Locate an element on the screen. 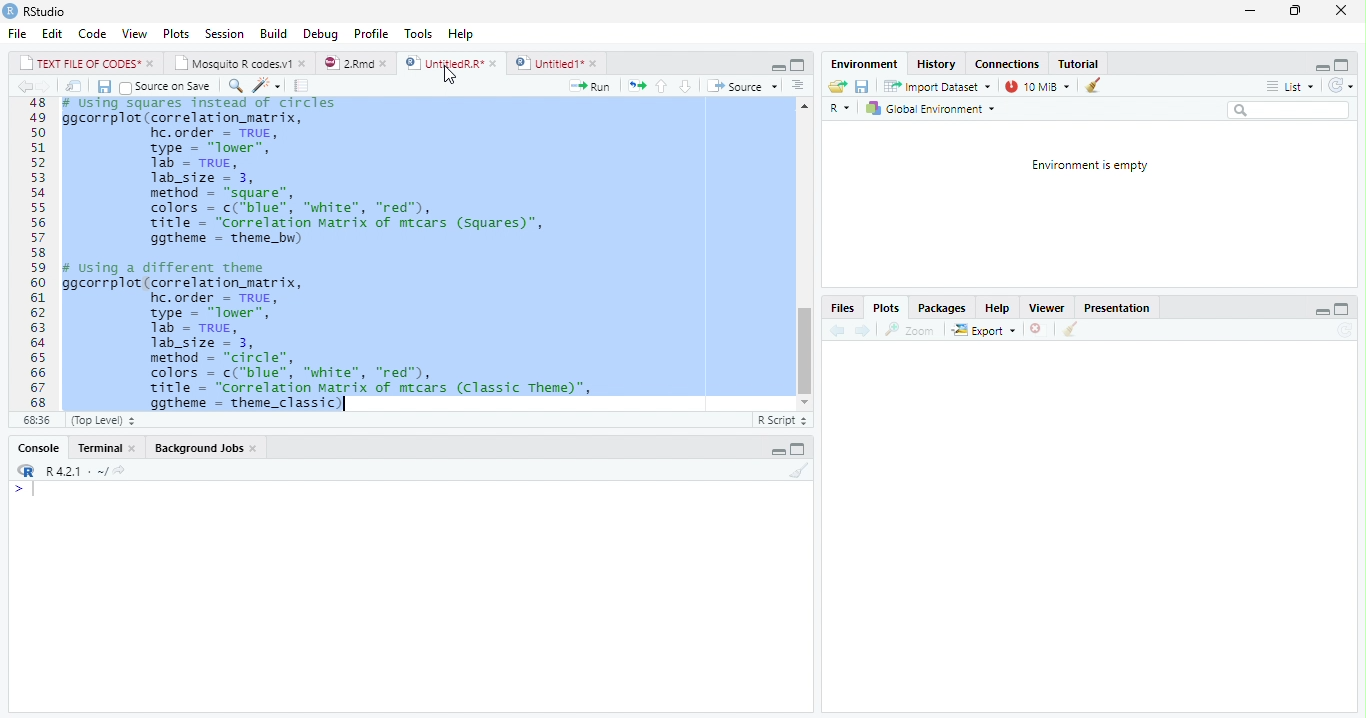 The height and width of the screenshot is (718, 1366). clear all plots is located at coordinates (1069, 330).